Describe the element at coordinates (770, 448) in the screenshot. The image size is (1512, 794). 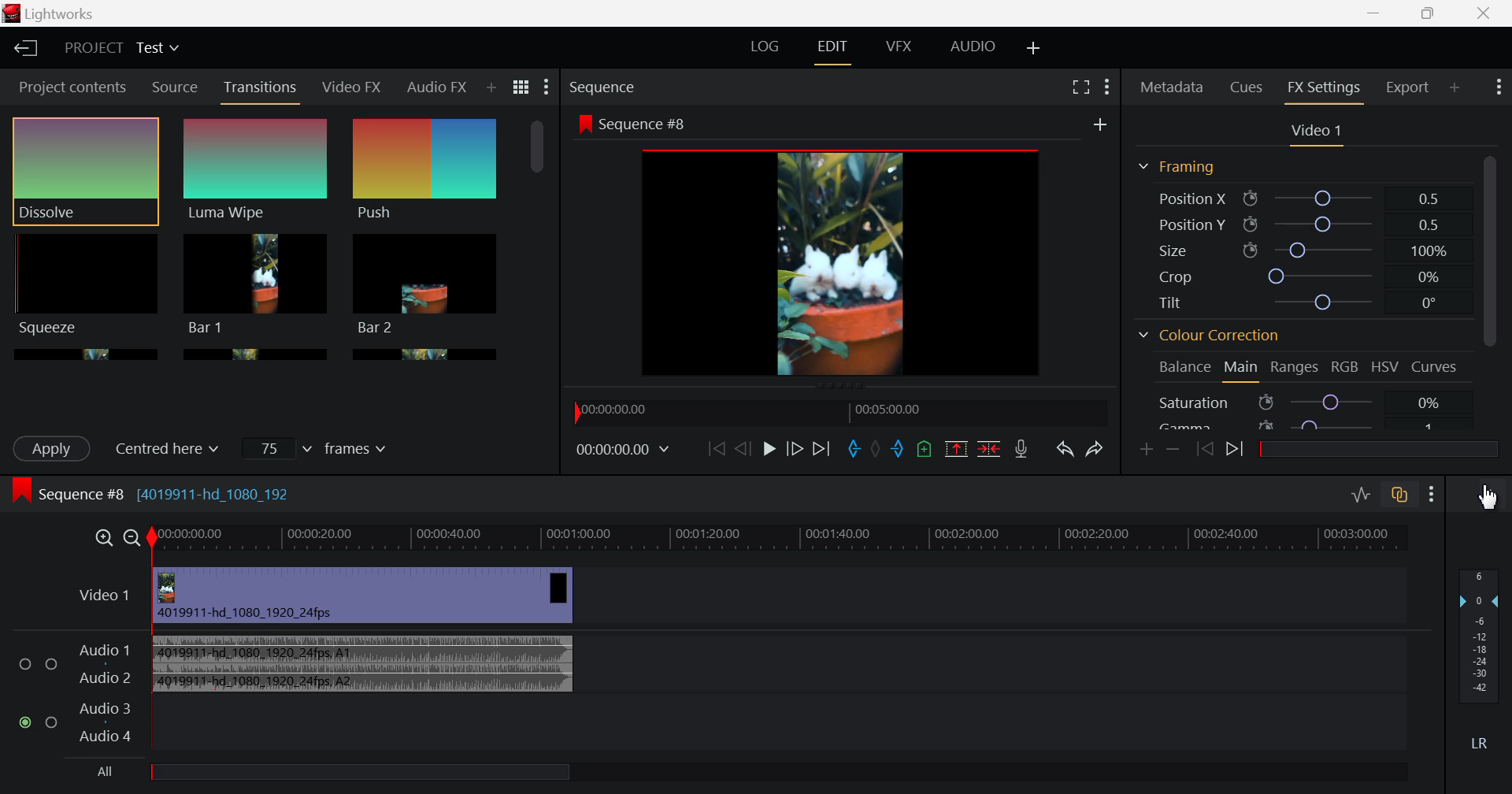
I see `Play` at that location.